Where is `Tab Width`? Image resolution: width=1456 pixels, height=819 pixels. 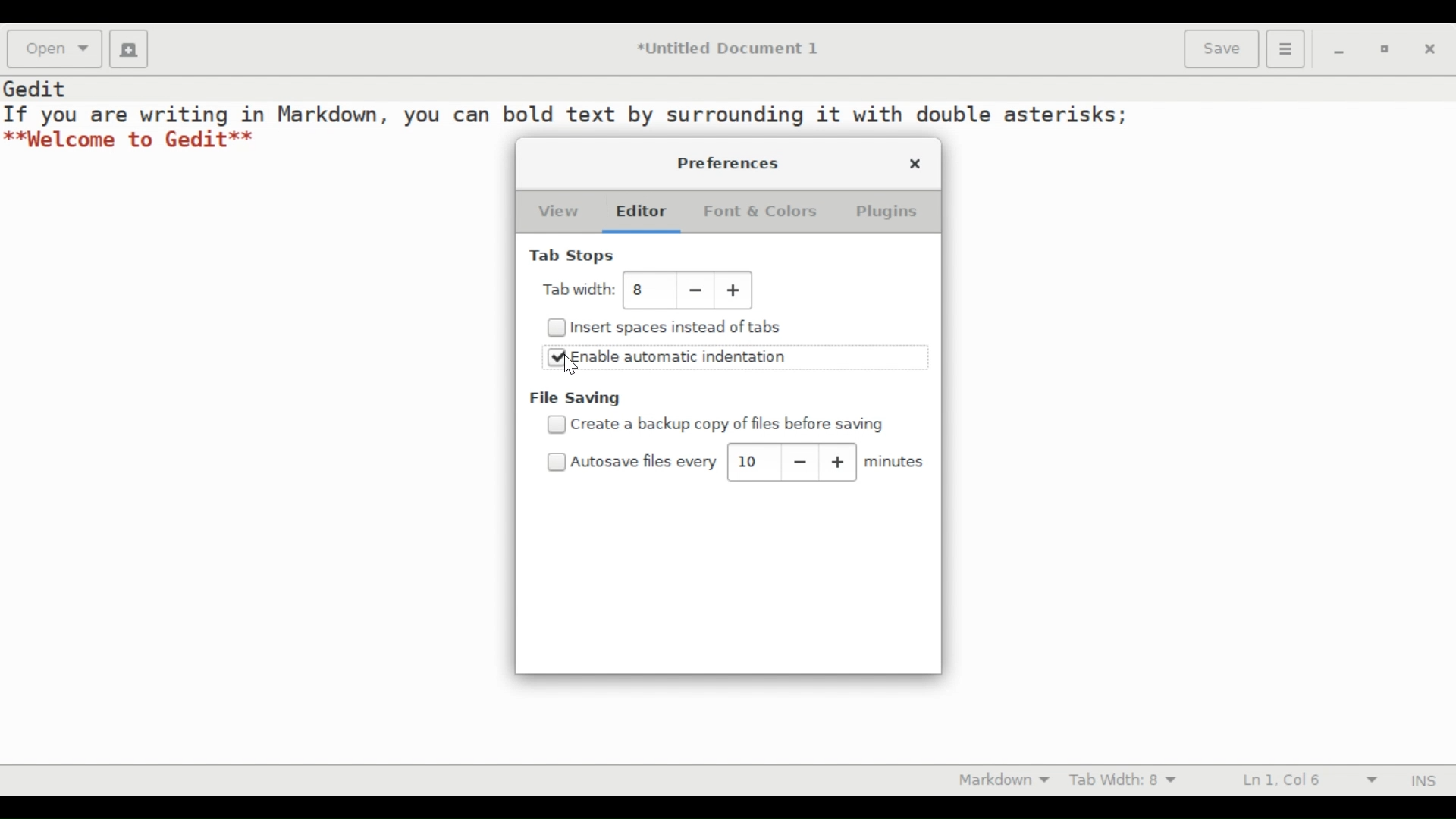 Tab Width is located at coordinates (1128, 780).